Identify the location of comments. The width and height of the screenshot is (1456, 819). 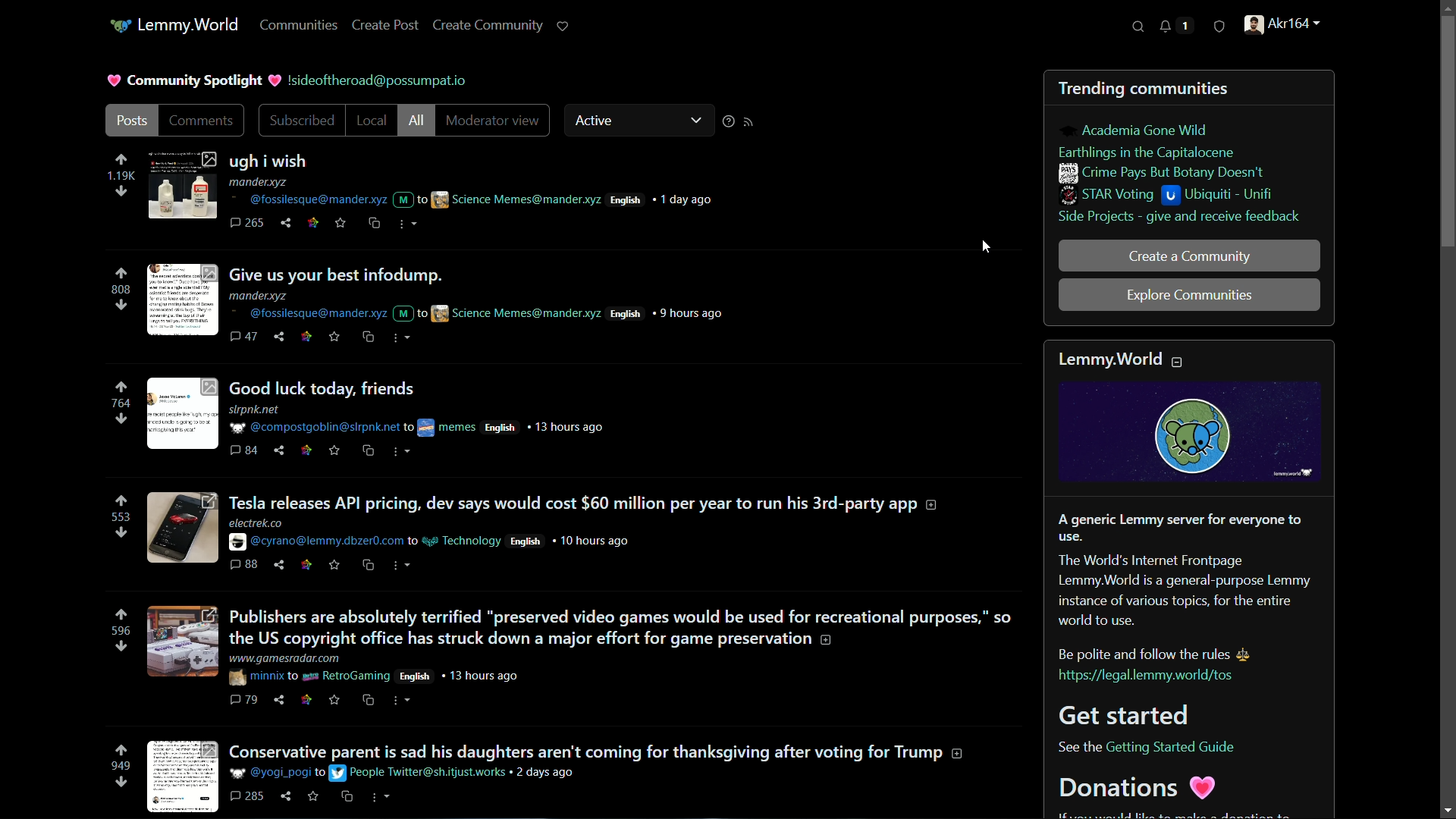
(202, 121).